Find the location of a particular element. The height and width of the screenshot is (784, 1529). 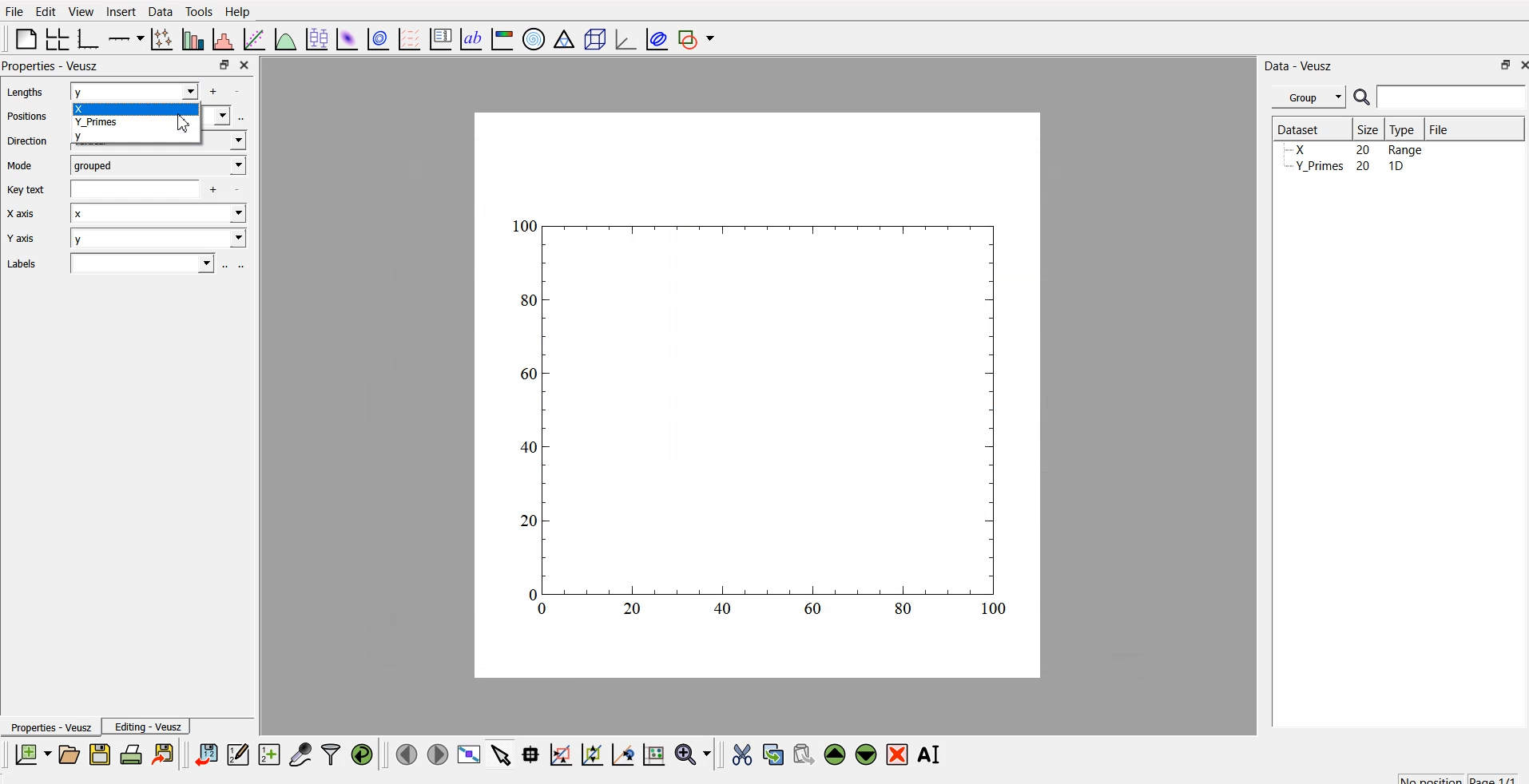

arrange grid in graph is located at coordinates (56, 37).